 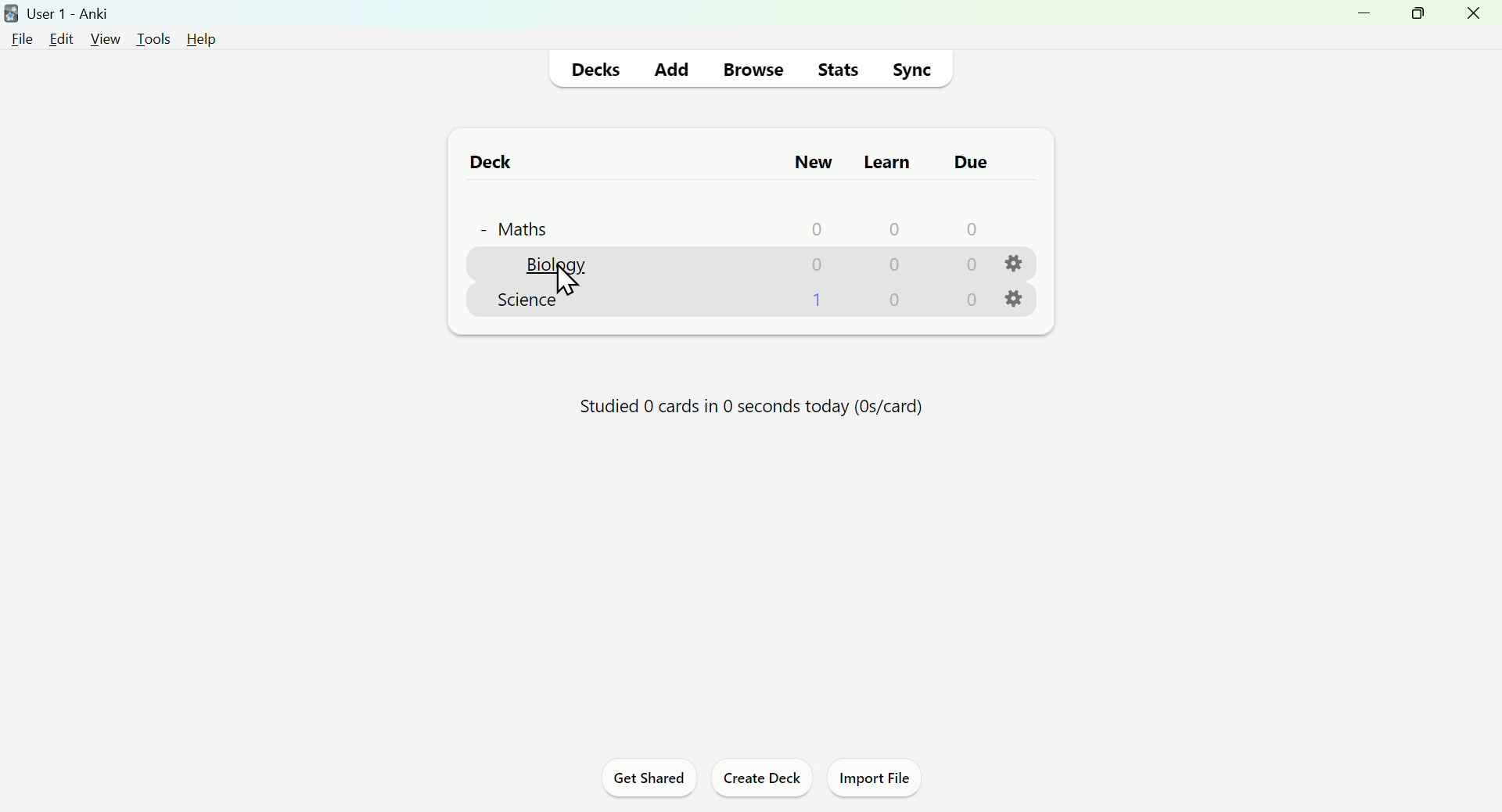 What do you see at coordinates (893, 268) in the screenshot?
I see `0` at bounding box center [893, 268].